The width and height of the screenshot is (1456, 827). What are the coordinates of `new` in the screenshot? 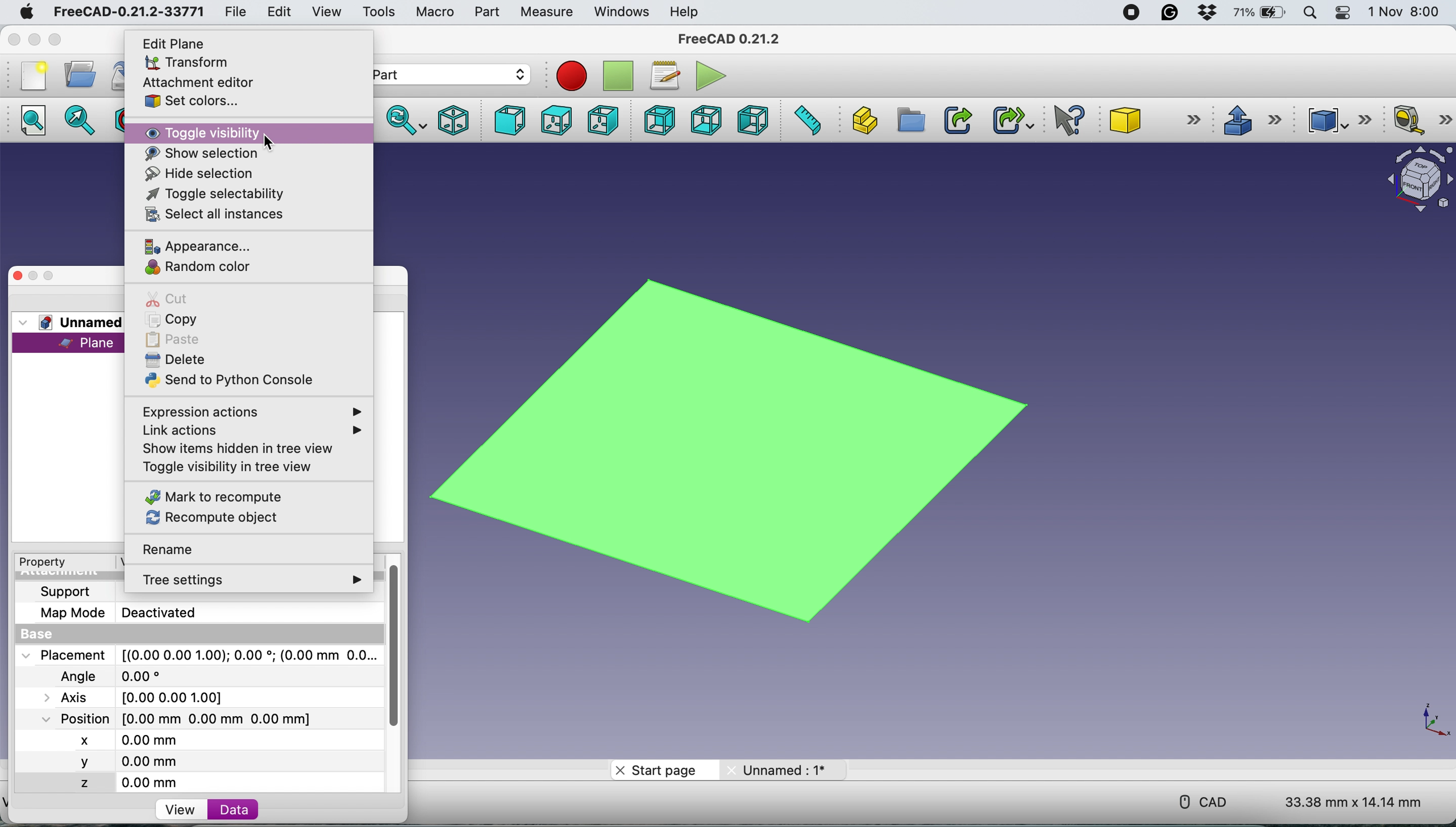 It's located at (32, 73).